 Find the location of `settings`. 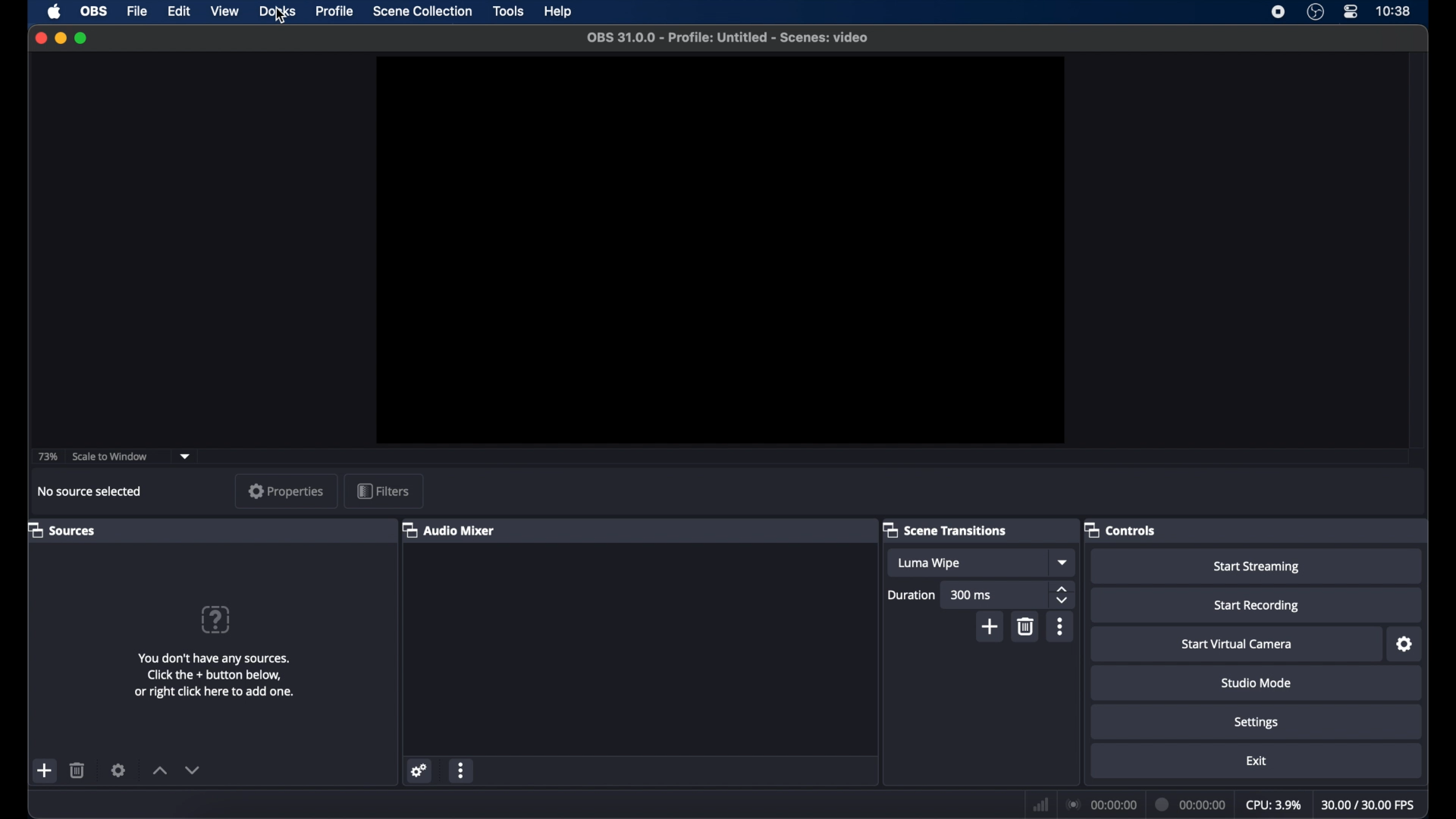

settings is located at coordinates (119, 770).